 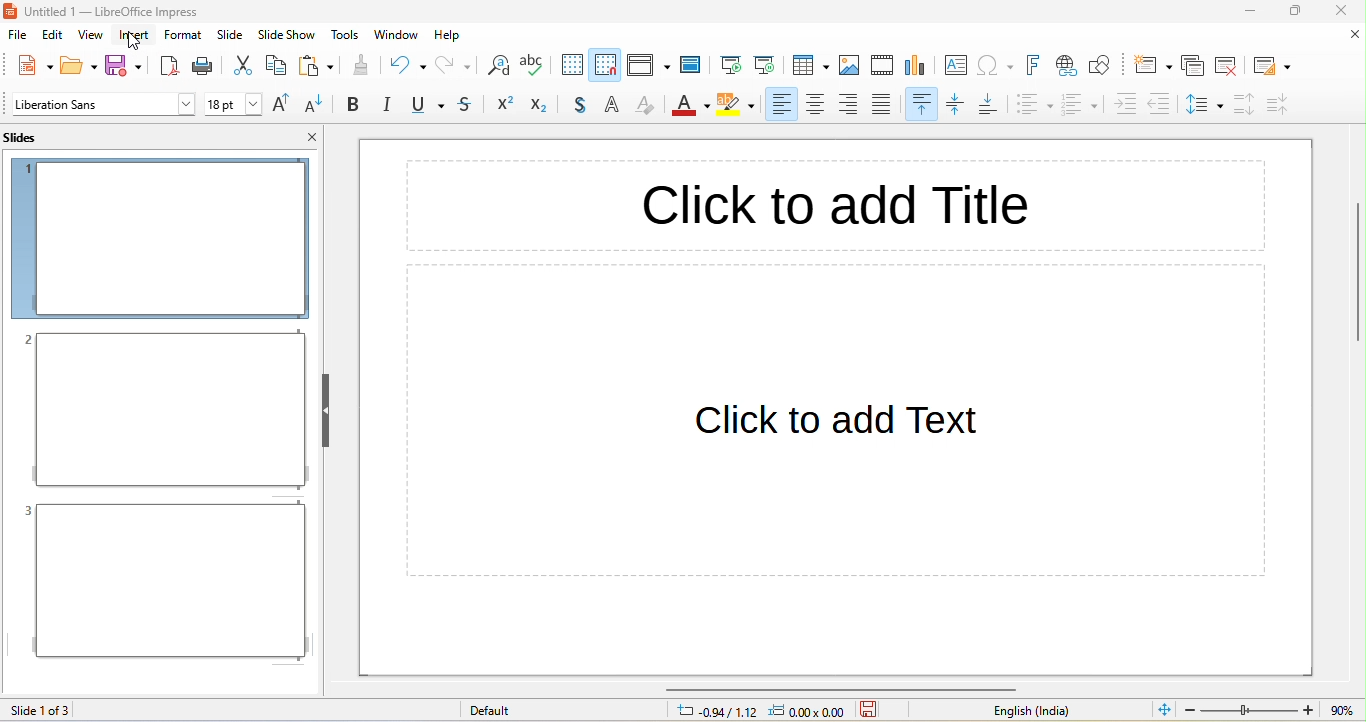 What do you see at coordinates (851, 66) in the screenshot?
I see `image` at bounding box center [851, 66].